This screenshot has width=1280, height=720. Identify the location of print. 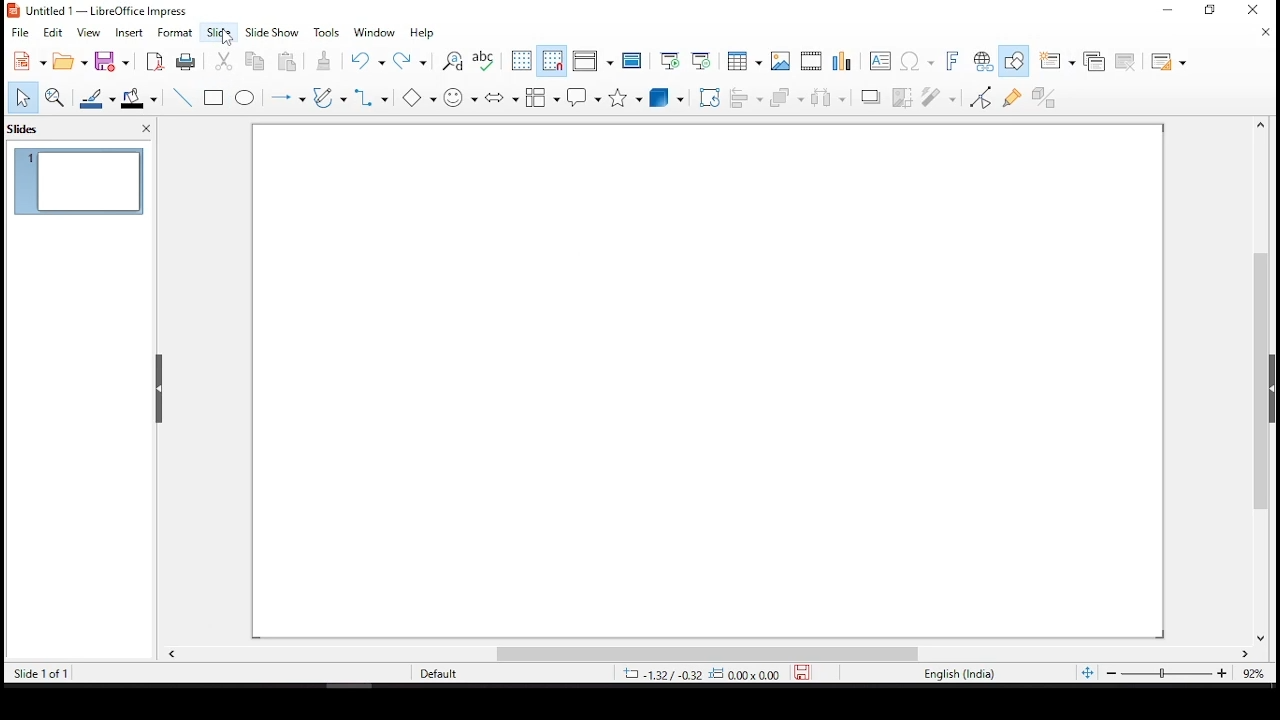
(186, 63).